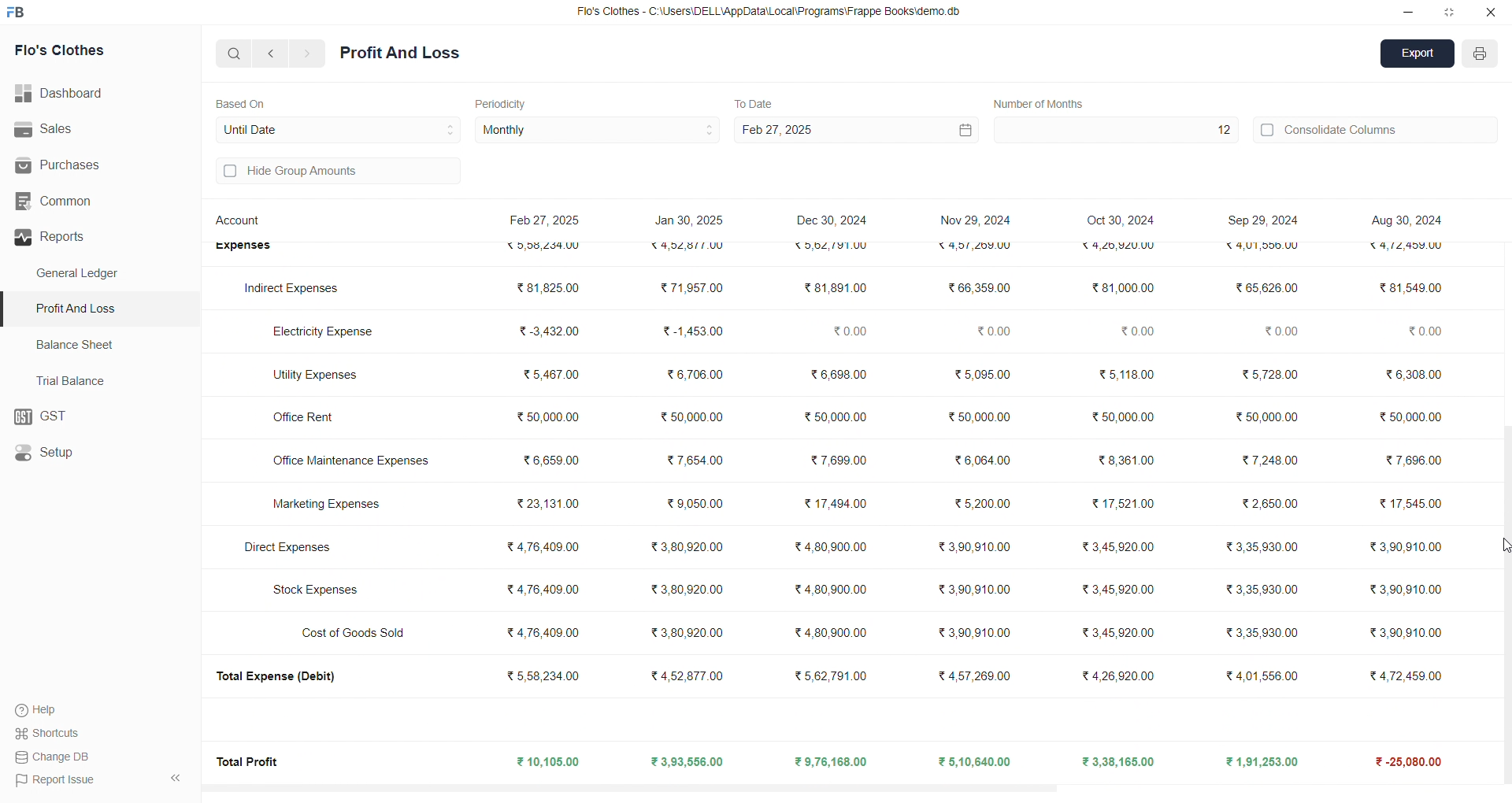 The height and width of the screenshot is (803, 1512). What do you see at coordinates (693, 677) in the screenshot?
I see `₹4,52,877.00` at bounding box center [693, 677].